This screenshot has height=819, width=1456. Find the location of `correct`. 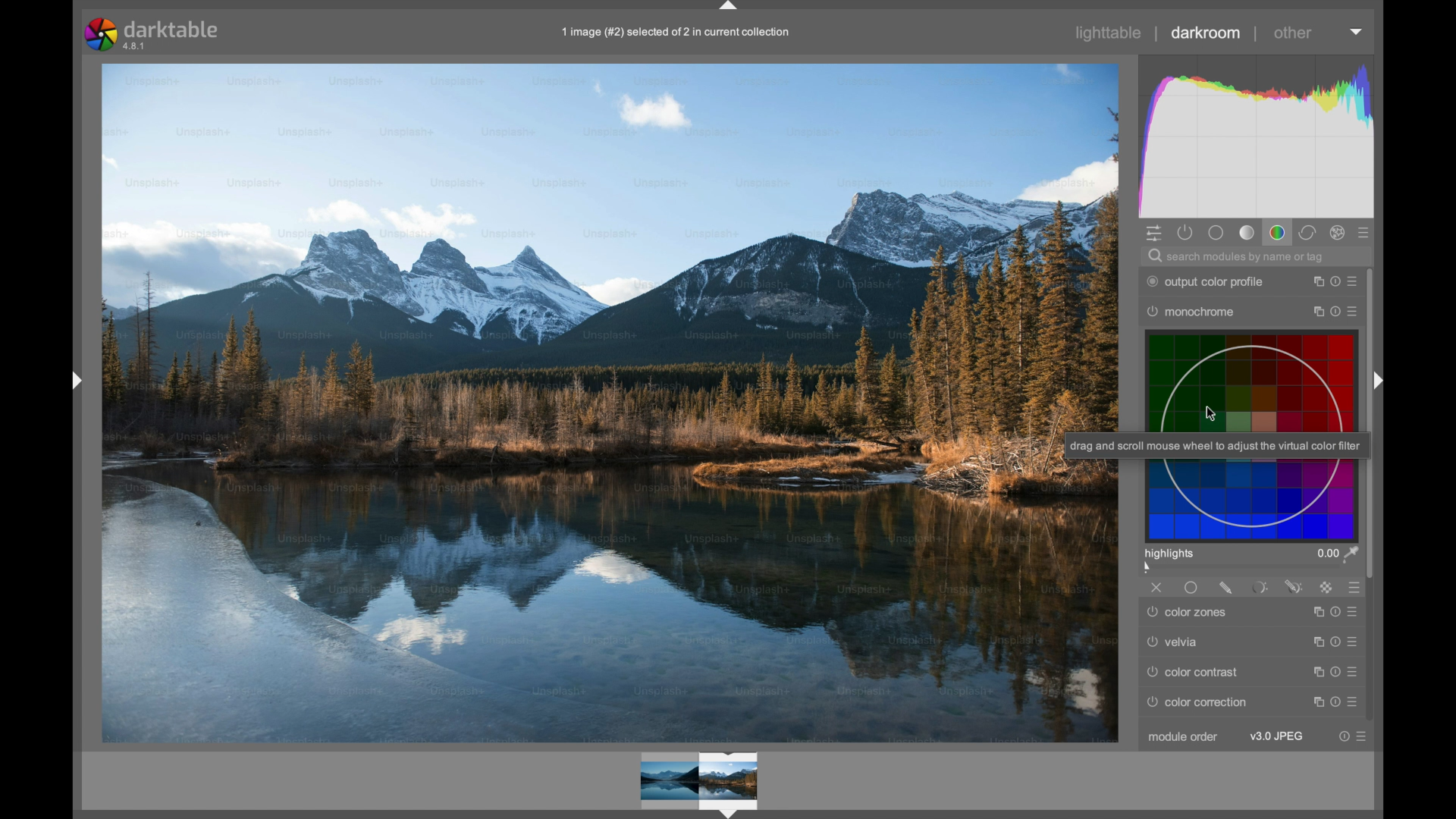

correct is located at coordinates (1307, 234).